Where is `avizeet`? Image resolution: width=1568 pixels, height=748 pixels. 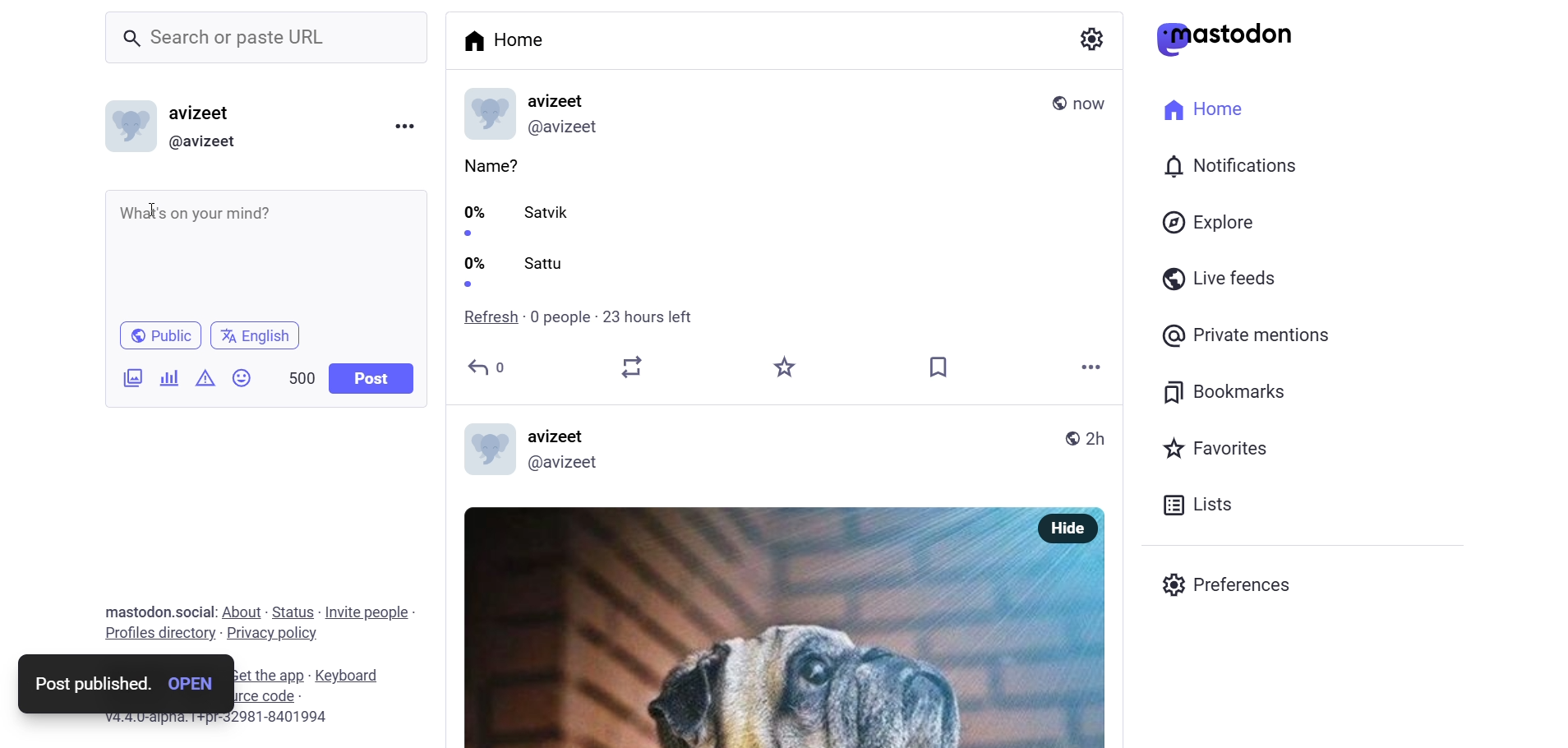
avizeet is located at coordinates (560, 436).